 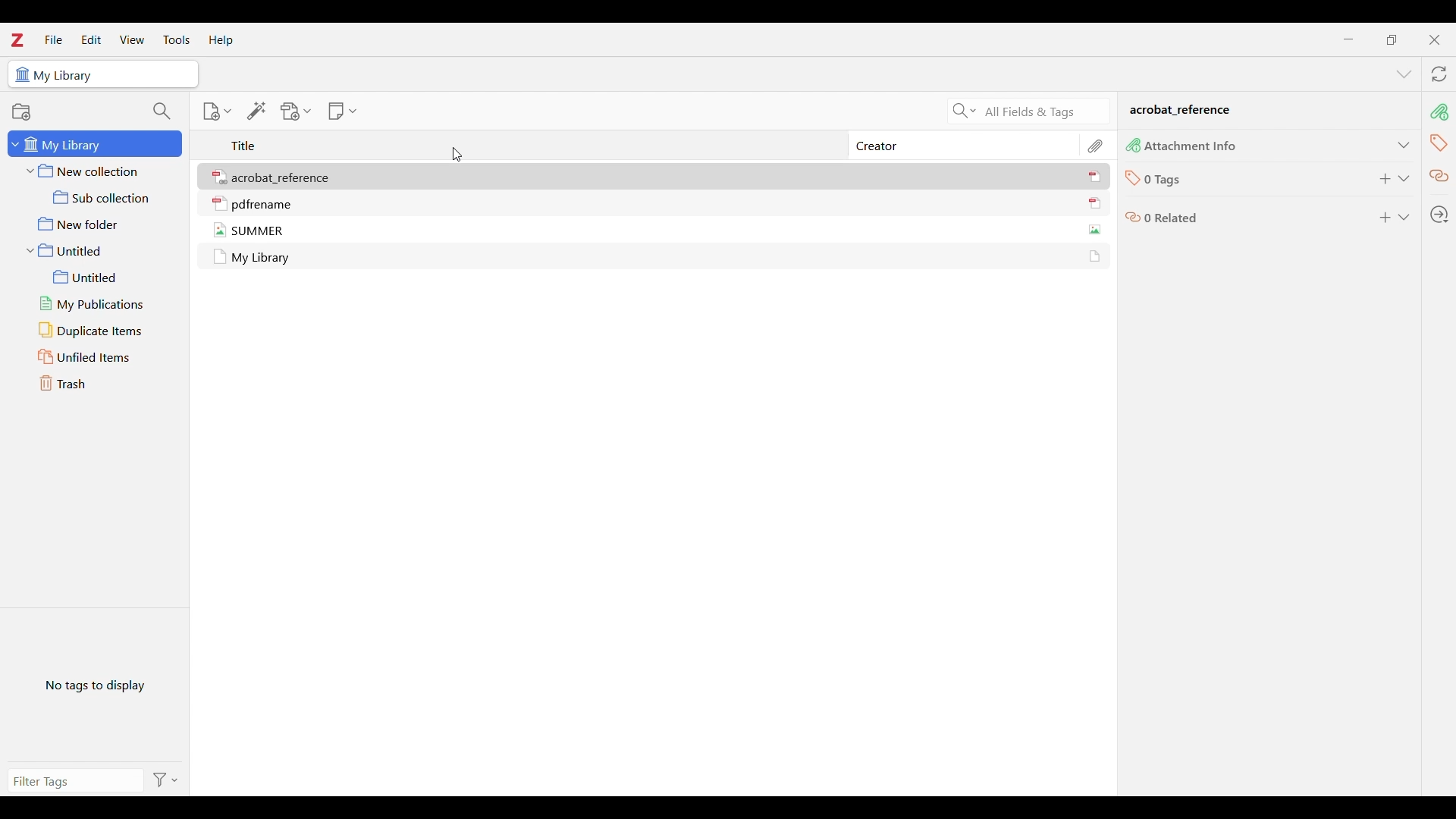 What do you see at coordinates (220, 203) in the screenshot?
I see `icon` at bounding box center [220, 203].